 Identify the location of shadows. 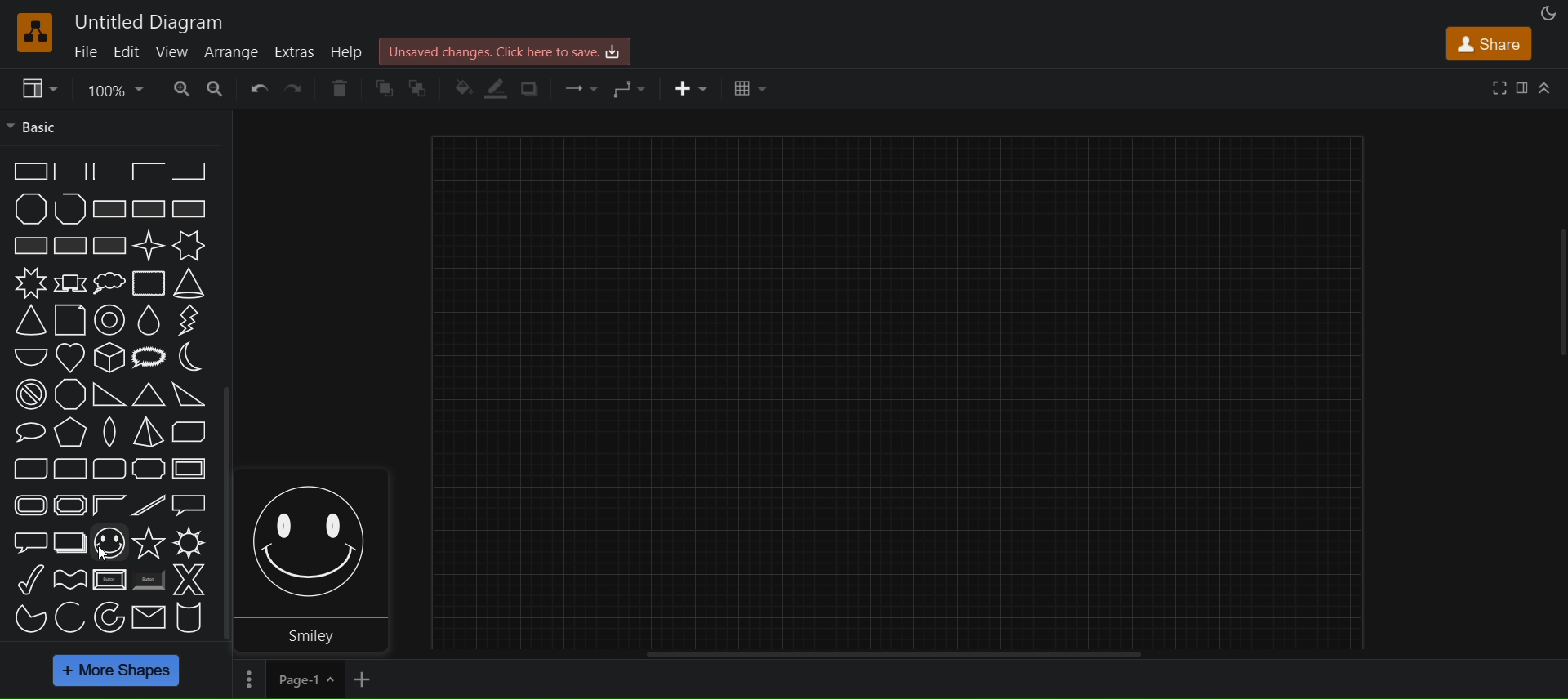
(534, 88).